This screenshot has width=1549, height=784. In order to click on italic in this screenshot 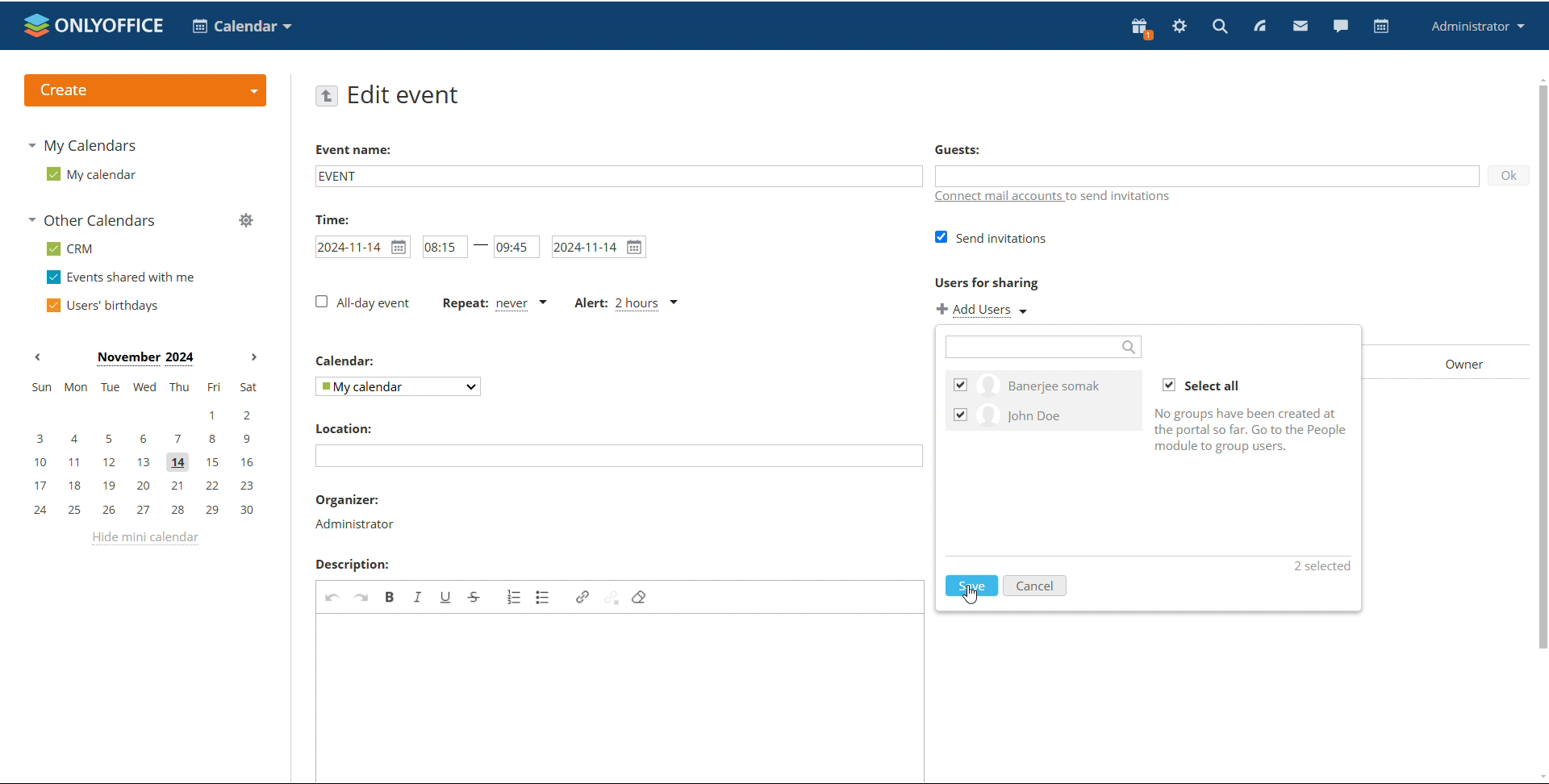, I will do `click(419, 596)`.